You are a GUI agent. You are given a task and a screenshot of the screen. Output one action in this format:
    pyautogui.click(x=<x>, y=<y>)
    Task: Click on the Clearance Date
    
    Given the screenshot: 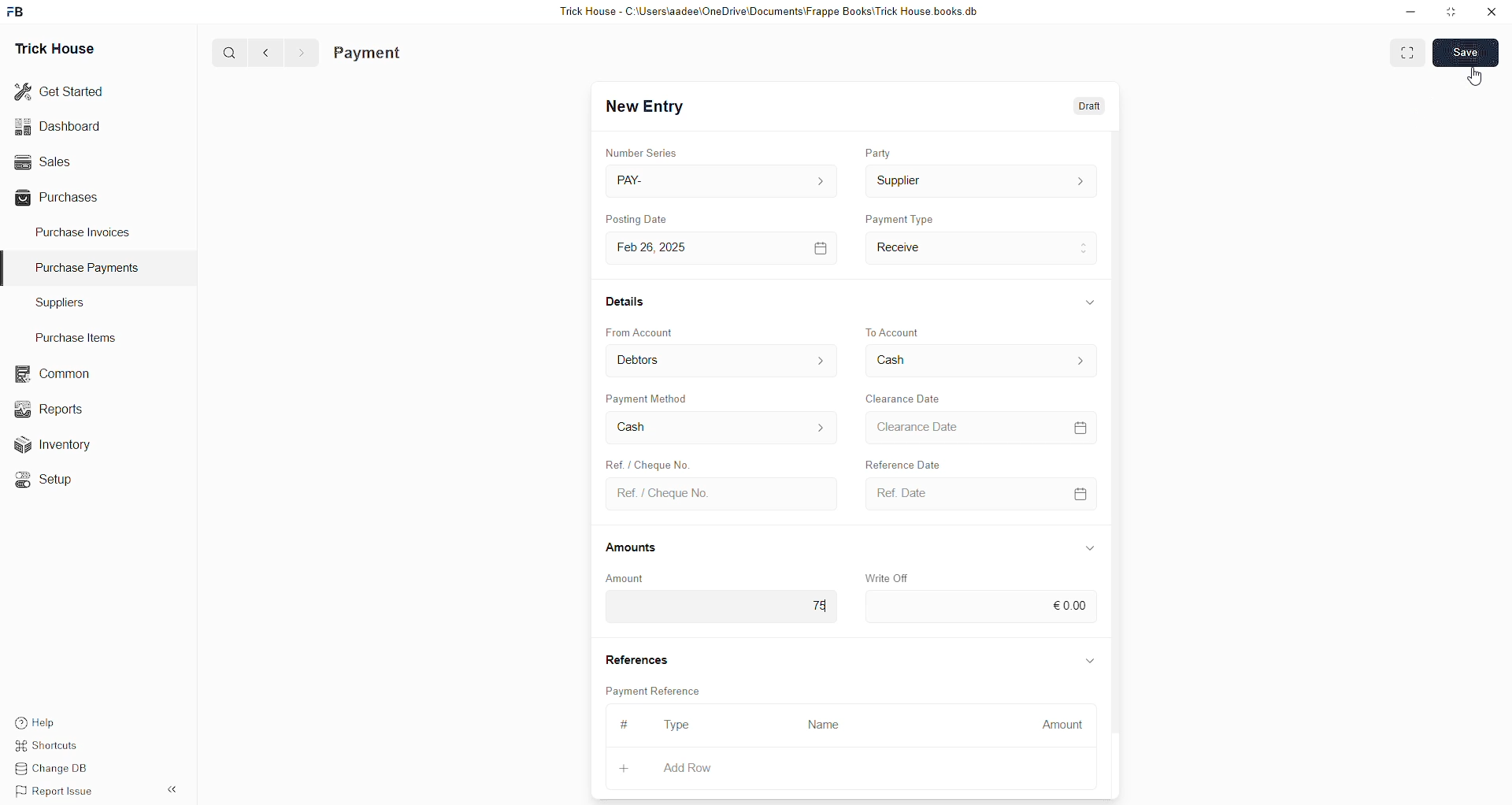 What is the action you would take?
    pyautogui.click(x=905, y=397)
    